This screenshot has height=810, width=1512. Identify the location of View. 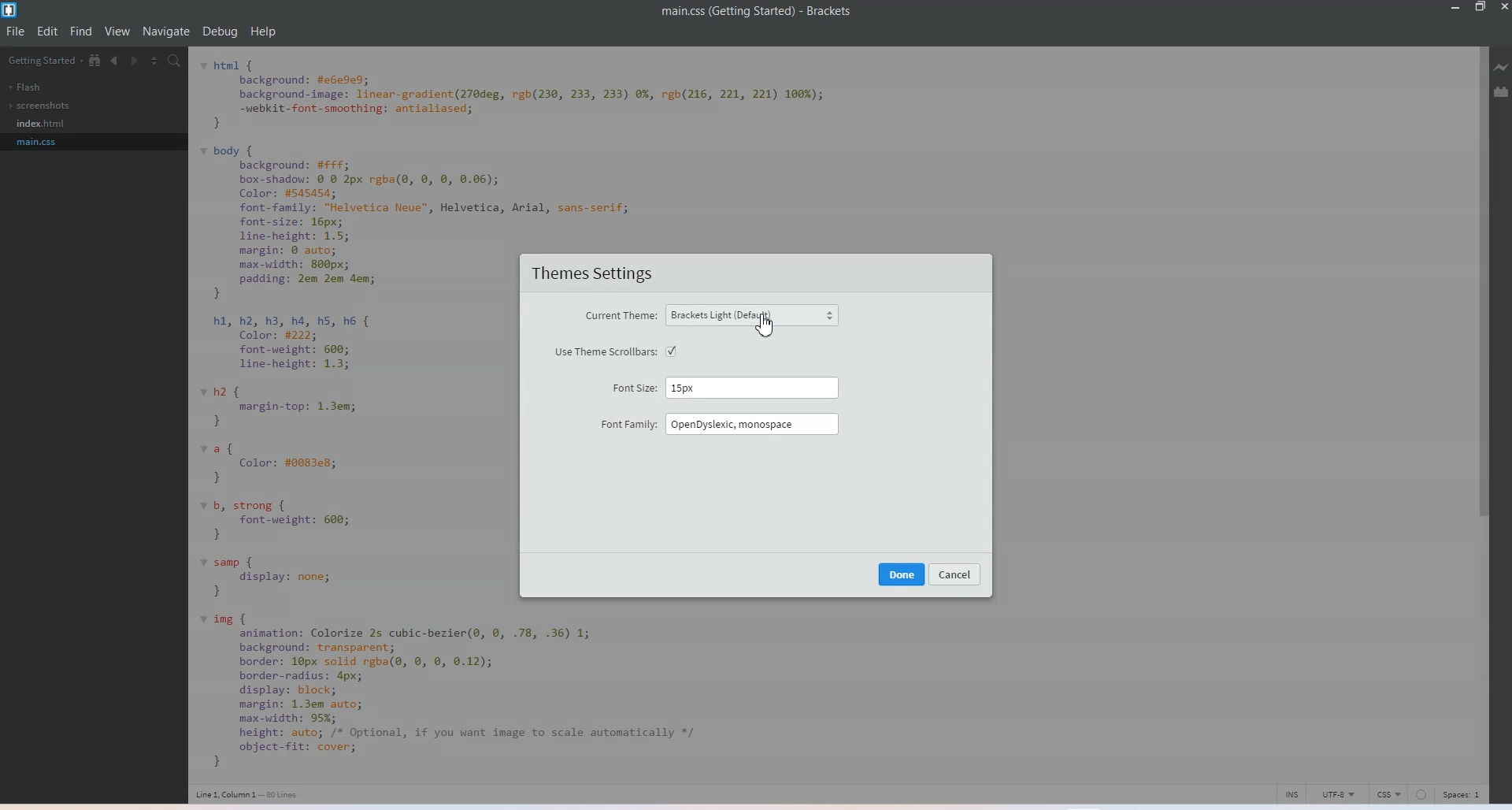
(117, 32).